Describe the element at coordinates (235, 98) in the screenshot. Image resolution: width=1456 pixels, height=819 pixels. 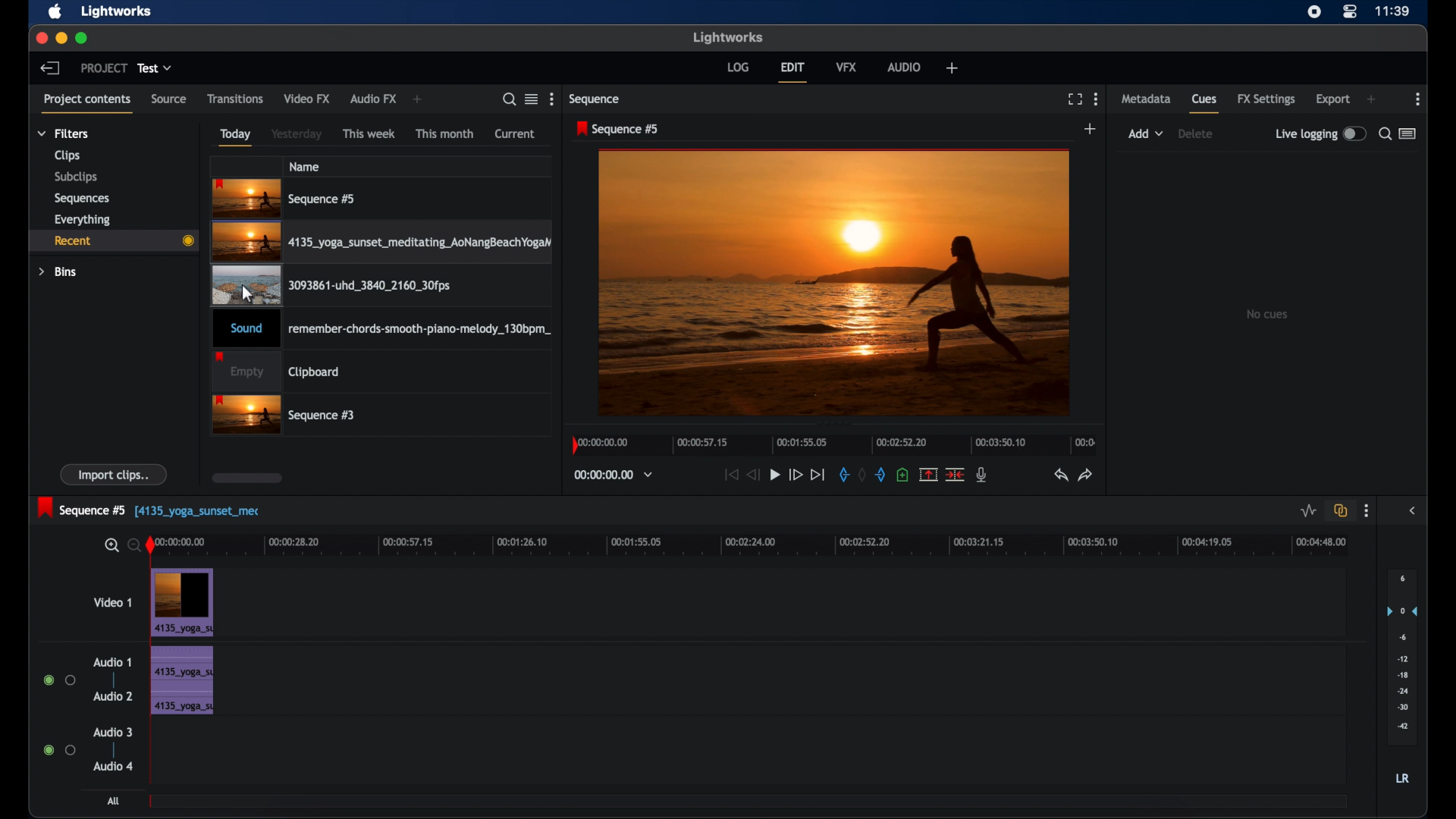
I see `transitions` at that location.